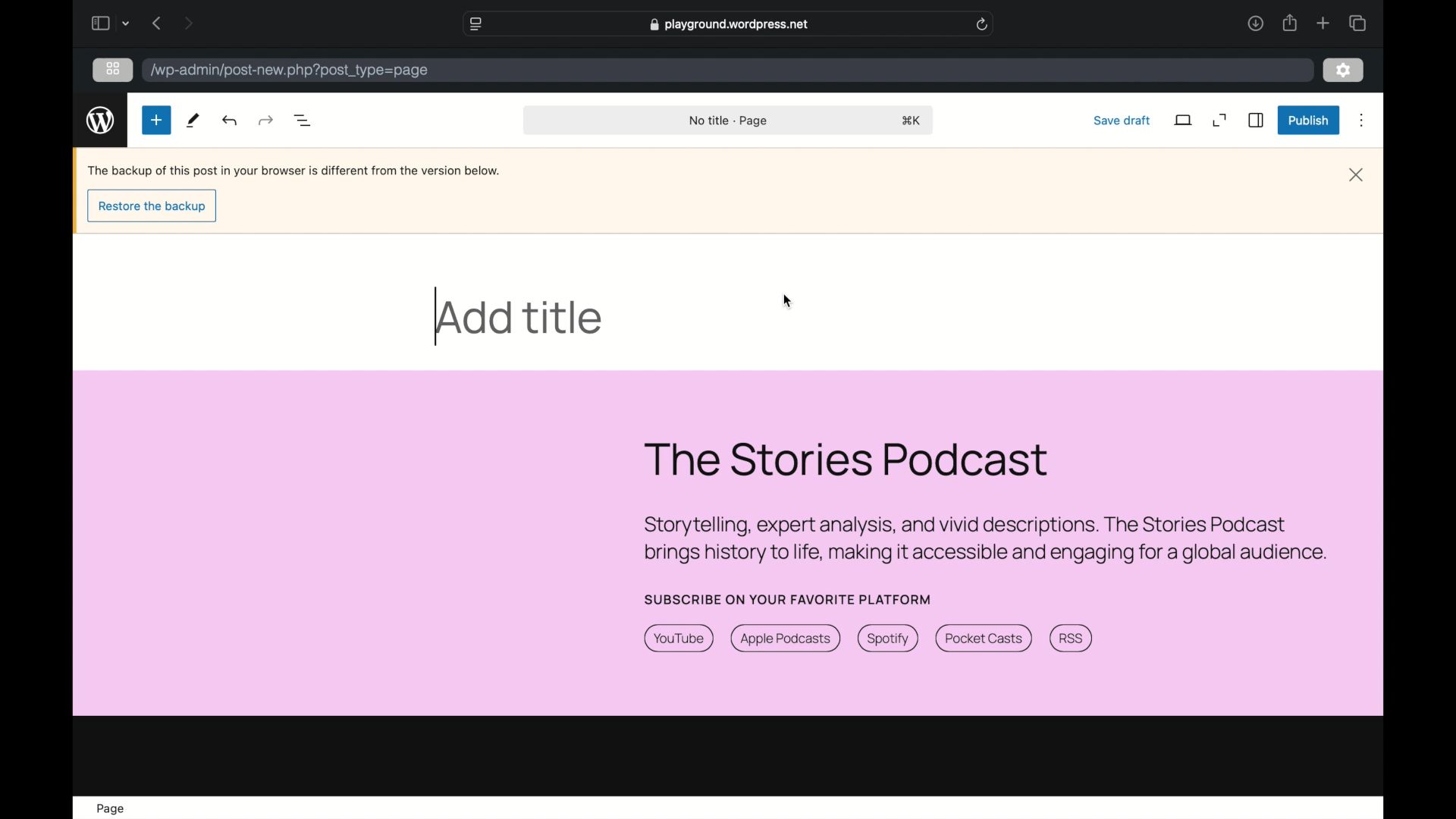 The height and width of the screenshot is (819, 1456). Describe the element at coordinates (984, 540) in the screenshot. I see `template content` at that location.